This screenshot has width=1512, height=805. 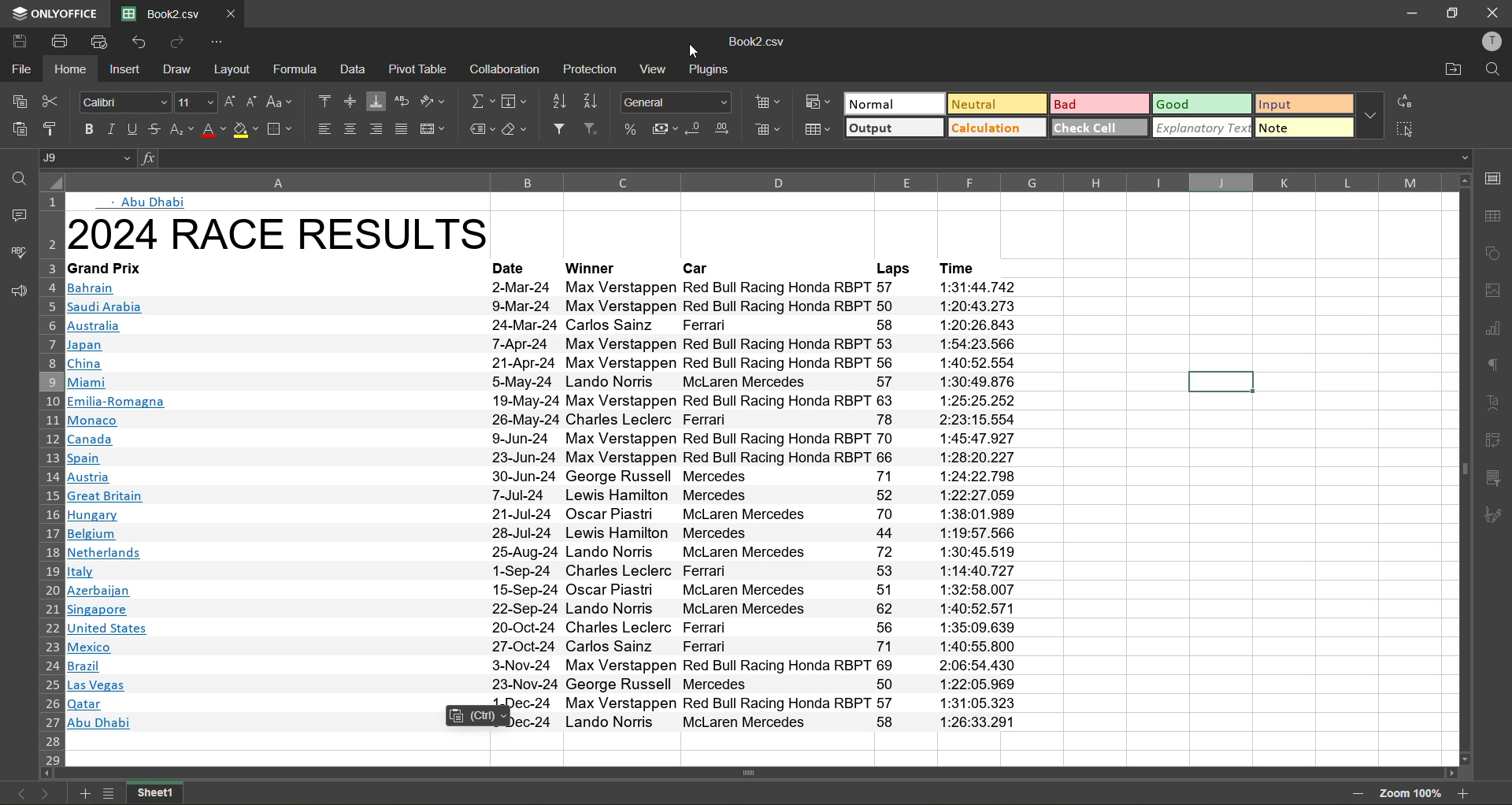 What do you see at coordinates (183, 129) in the screenshot?
I see `sub\superscript` at bounding box center [183, 129].